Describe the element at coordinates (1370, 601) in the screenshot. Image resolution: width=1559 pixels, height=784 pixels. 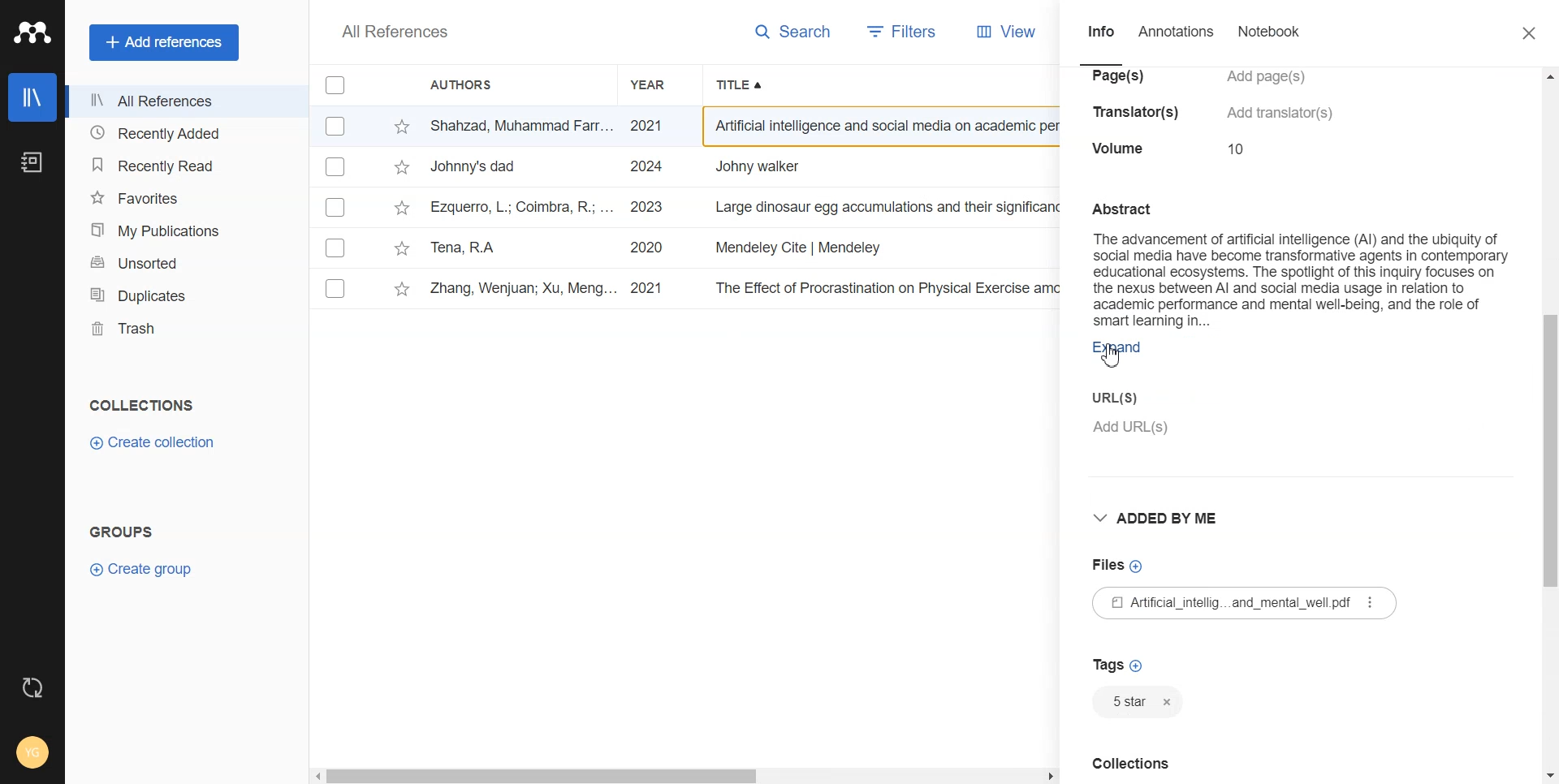
I see `More` at that location.